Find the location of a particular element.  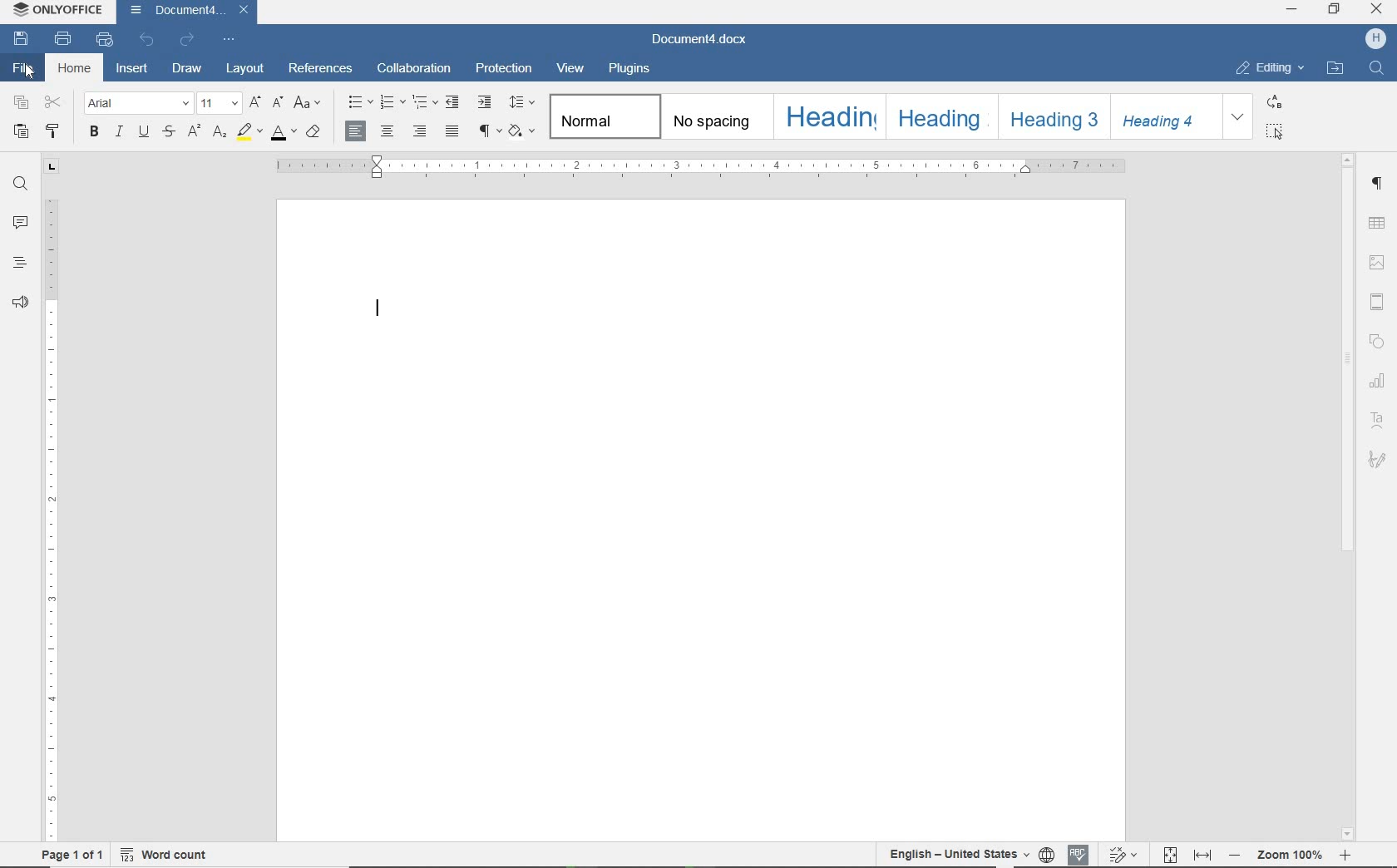

theme colors is located at coordinates (524, 131).